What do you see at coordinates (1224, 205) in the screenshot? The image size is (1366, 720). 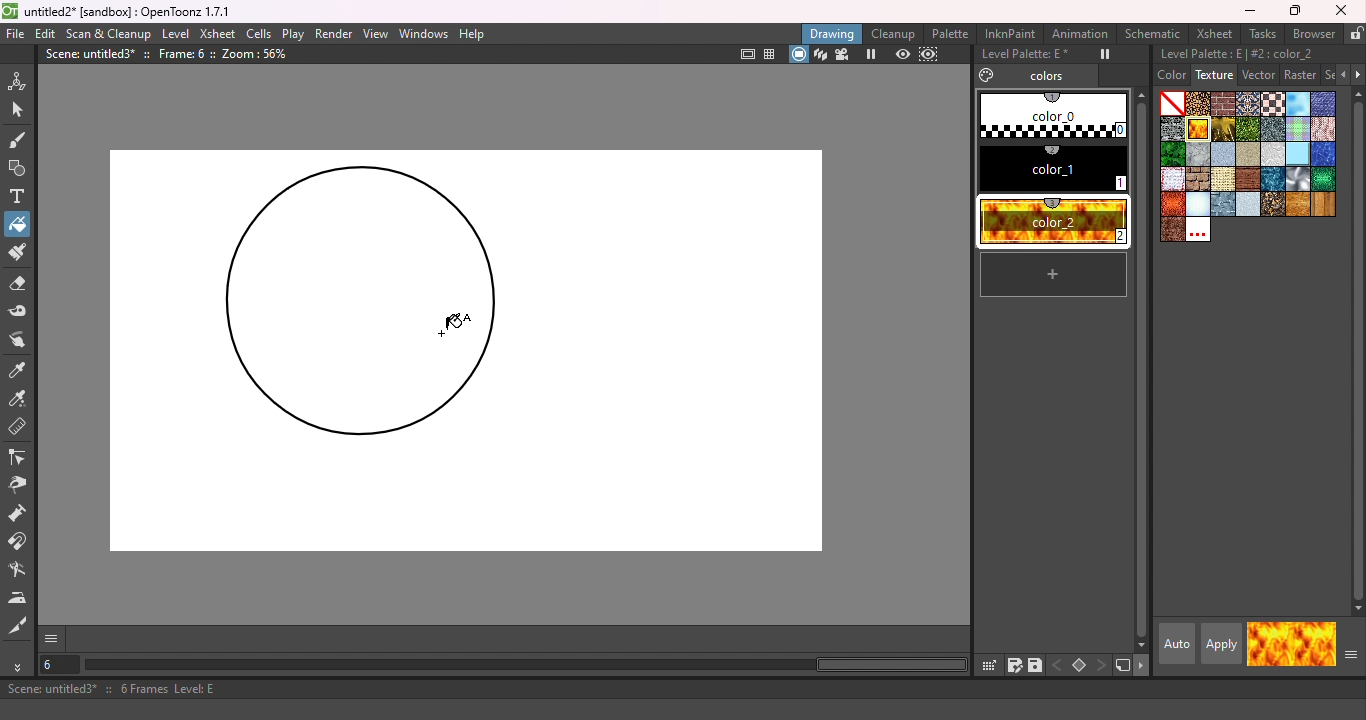 I see `steelplates.bmp` at bounding box center [1224, 205].